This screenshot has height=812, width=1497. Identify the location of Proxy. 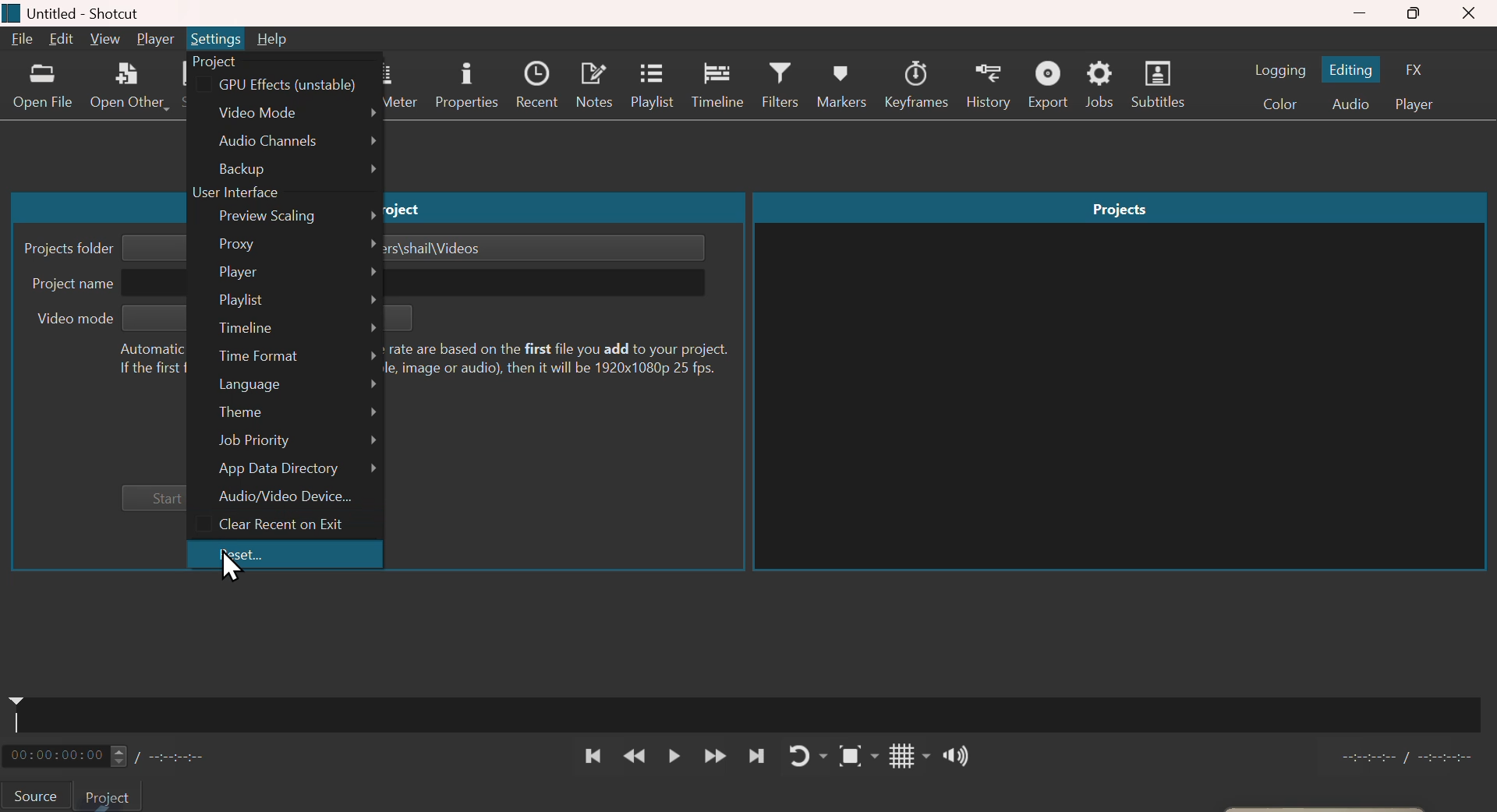
(282, 245).